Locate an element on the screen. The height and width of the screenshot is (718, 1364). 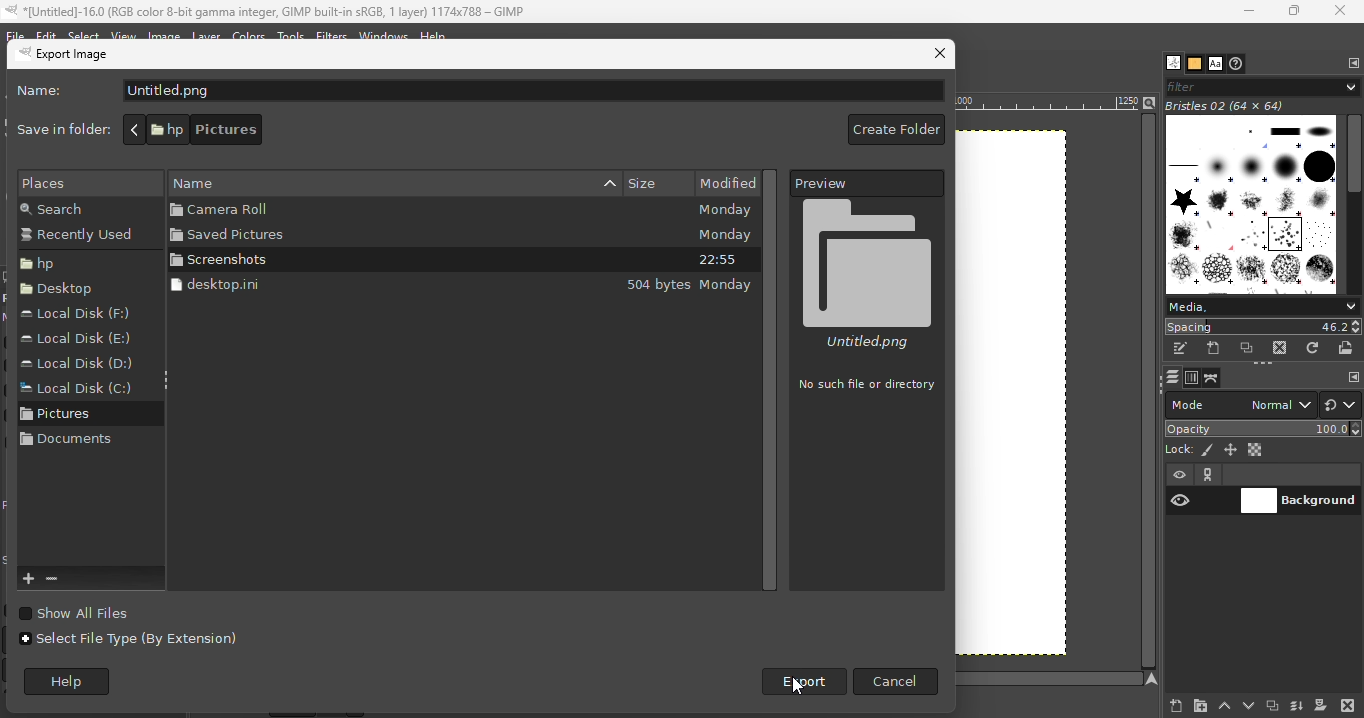
Filters is located at coordinates (330, 35).